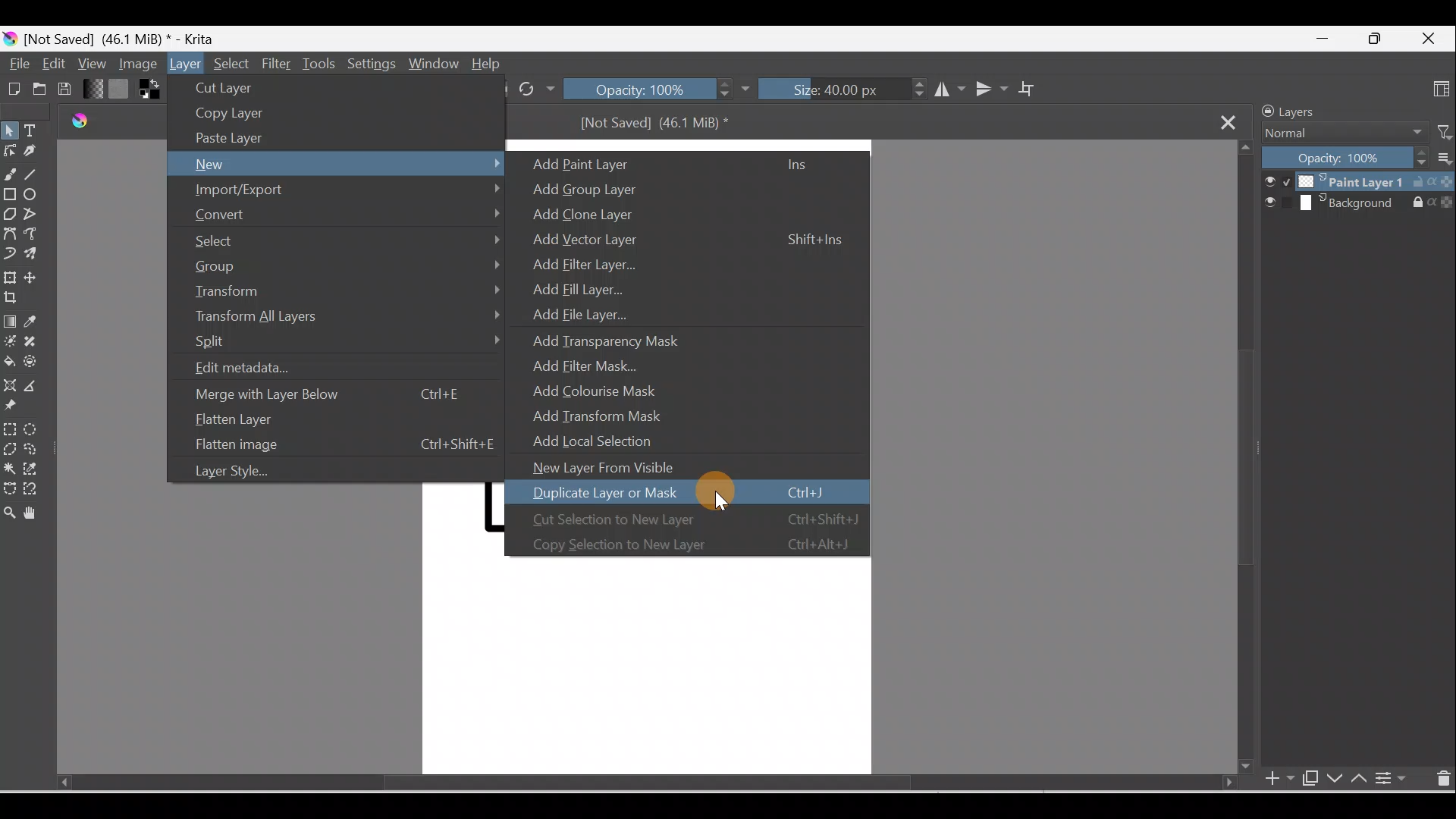  What do you see at coordinates (230, 87) in the screenshot?
I see `Cut layer` at bounding box center [230, 87].